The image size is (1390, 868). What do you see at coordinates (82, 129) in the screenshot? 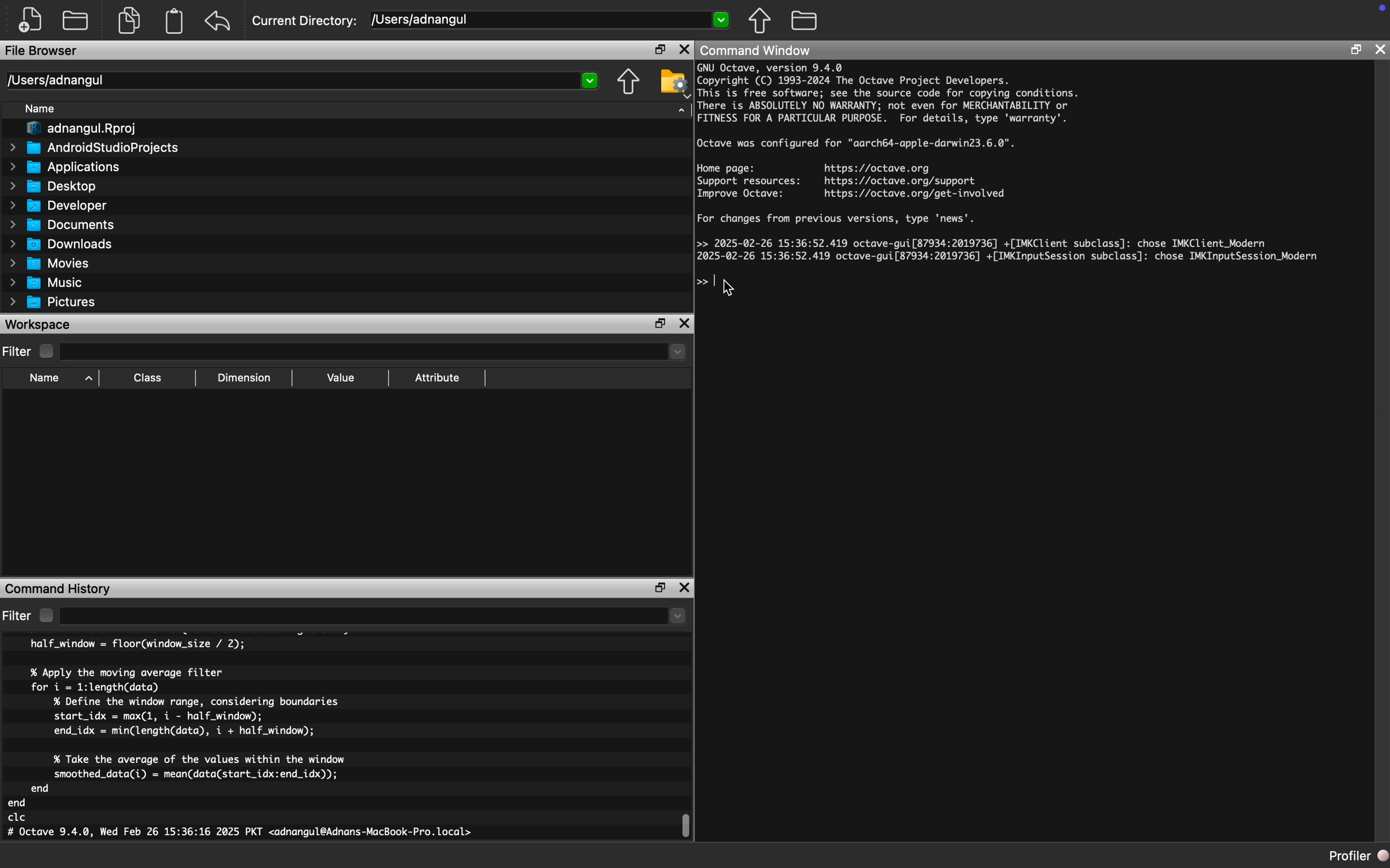
I see `adnangul.Rproj` at bounding box center [82, 129].